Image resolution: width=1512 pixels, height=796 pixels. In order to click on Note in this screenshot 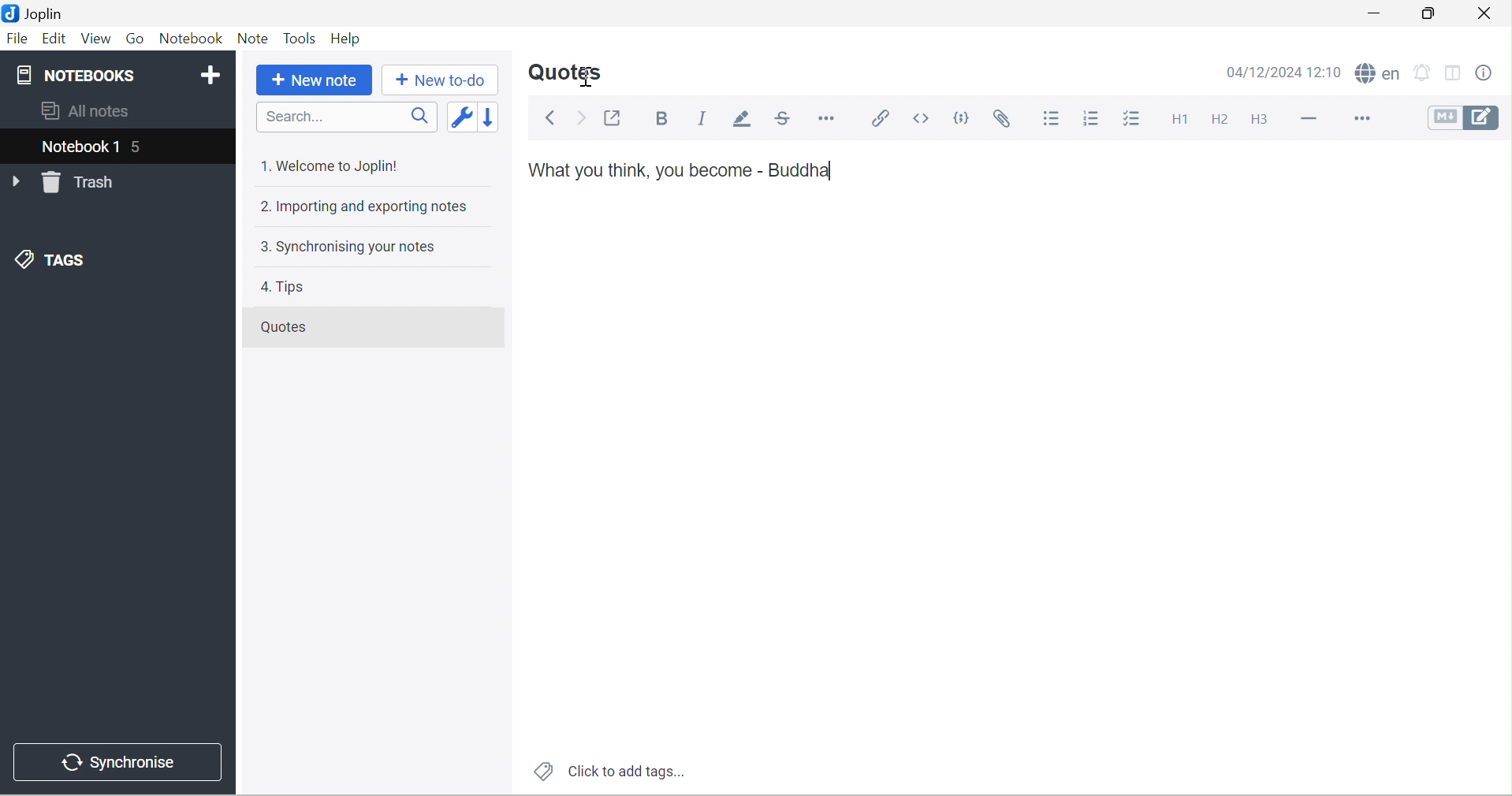, I will do `click(255, 39)`.